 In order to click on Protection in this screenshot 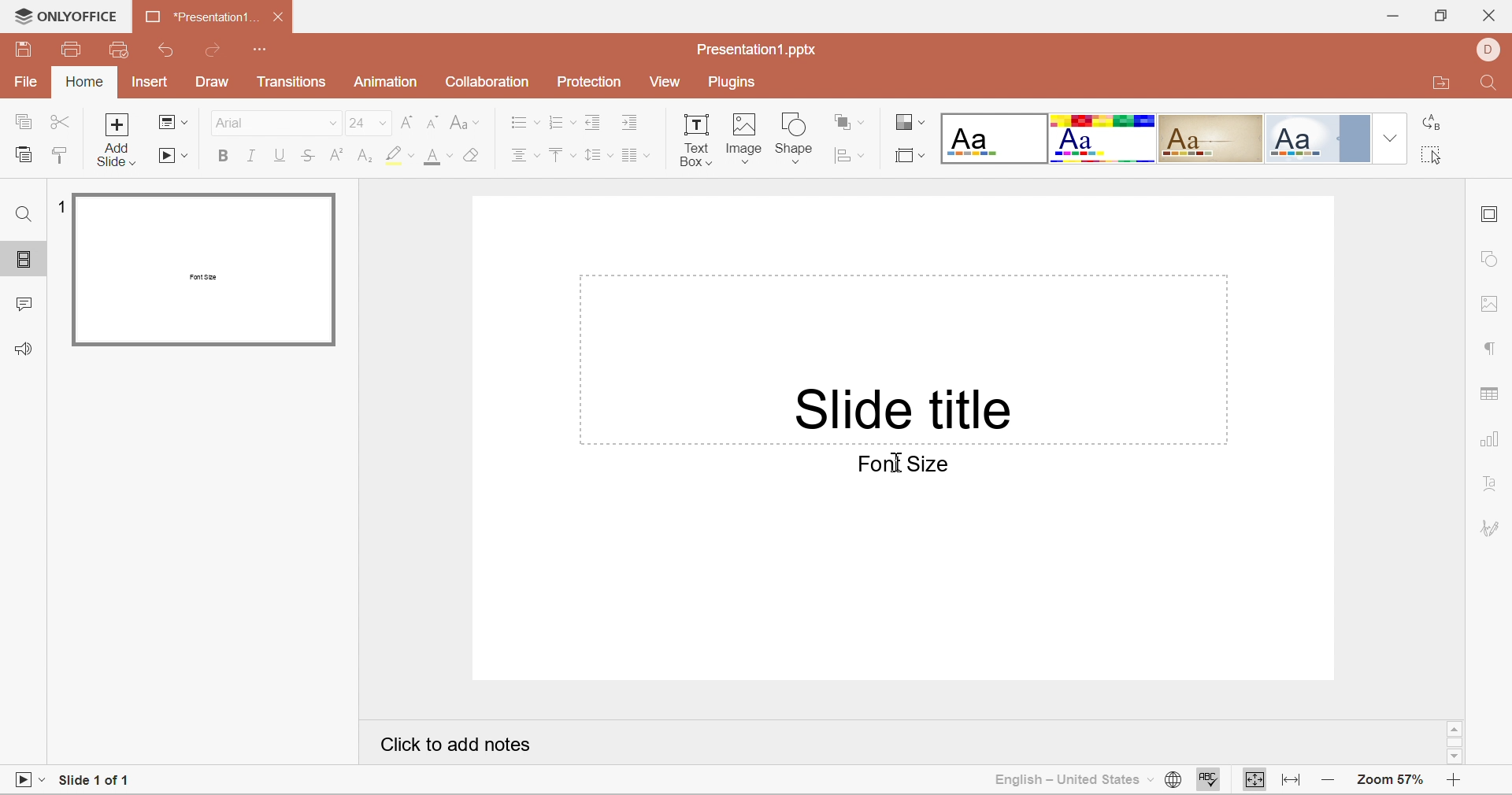, I will do `click(589, 80)`.